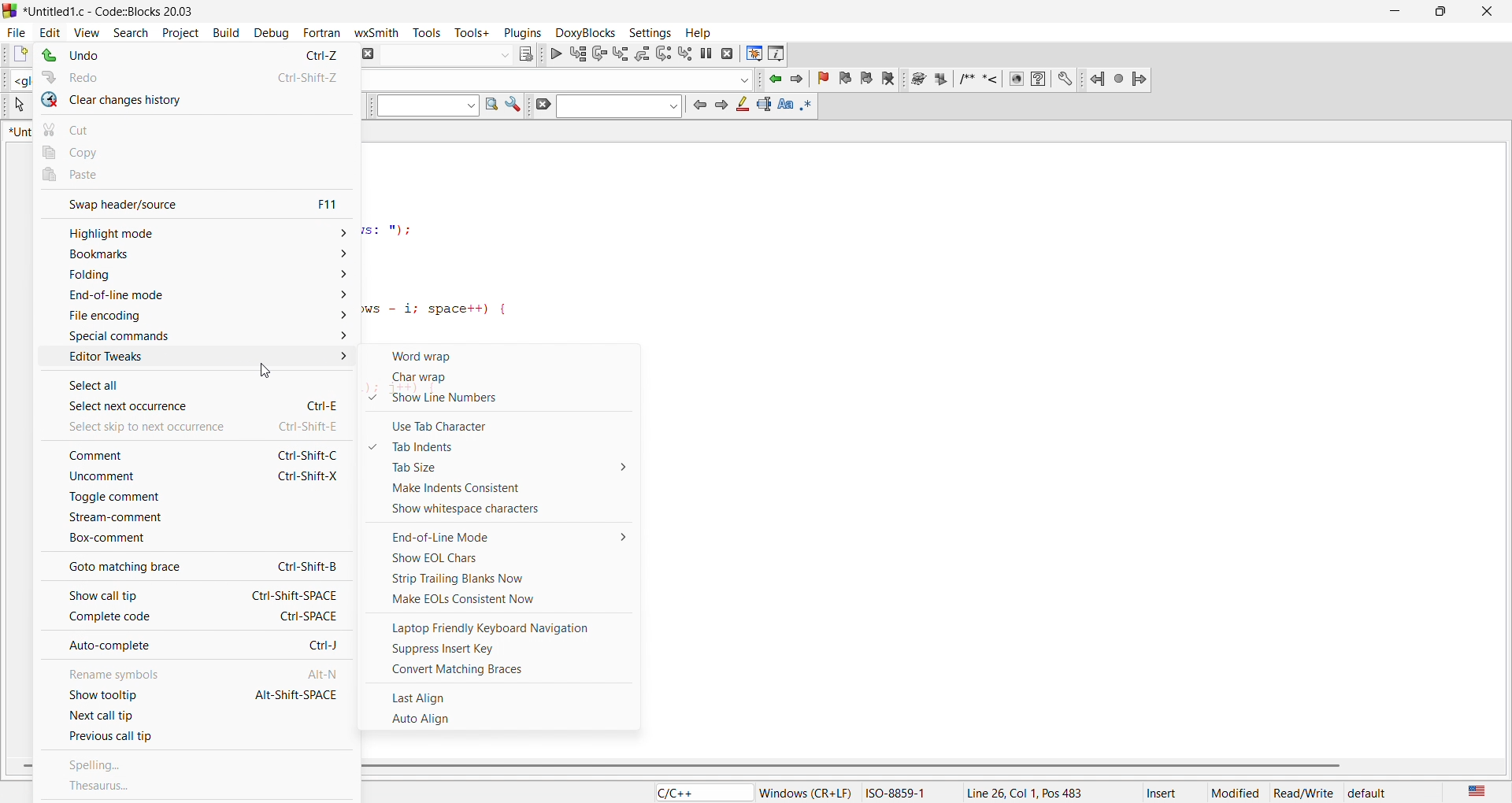 Image resolution: width=1512 pixels, height=803 pixels. What do you see at coordinates (89, 28) in the screenshot?
I see `view` at bounding box center [89, 28].